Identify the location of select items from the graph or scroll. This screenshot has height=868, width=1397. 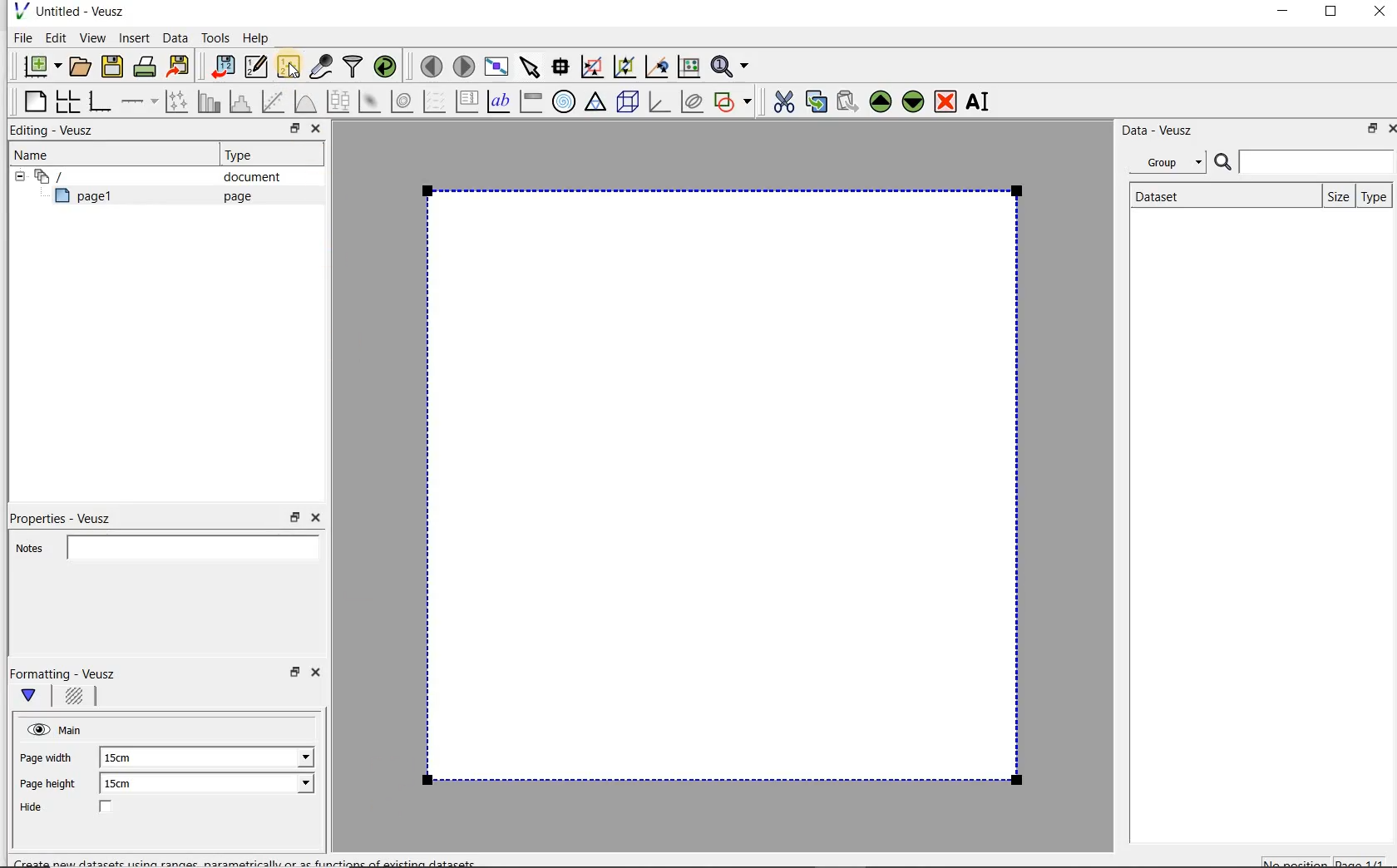
(529, 65).